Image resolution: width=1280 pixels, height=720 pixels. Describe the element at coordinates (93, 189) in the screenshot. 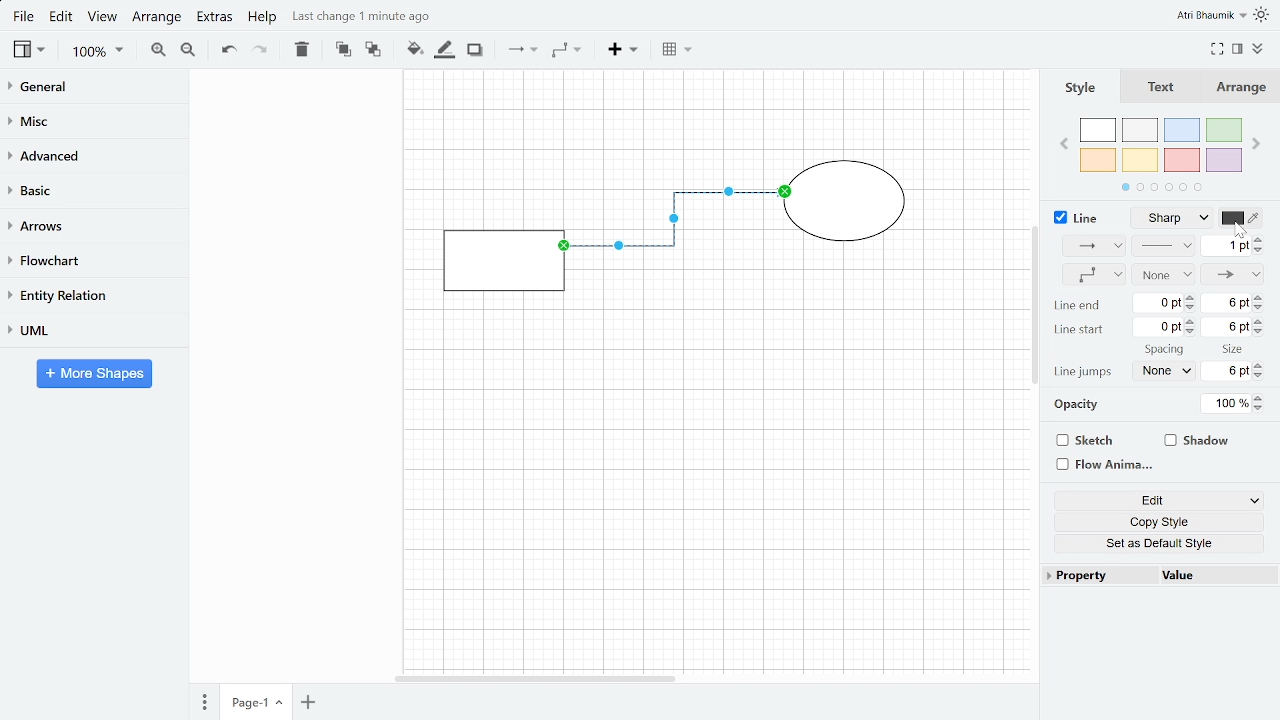

I see `Basic` at that location.